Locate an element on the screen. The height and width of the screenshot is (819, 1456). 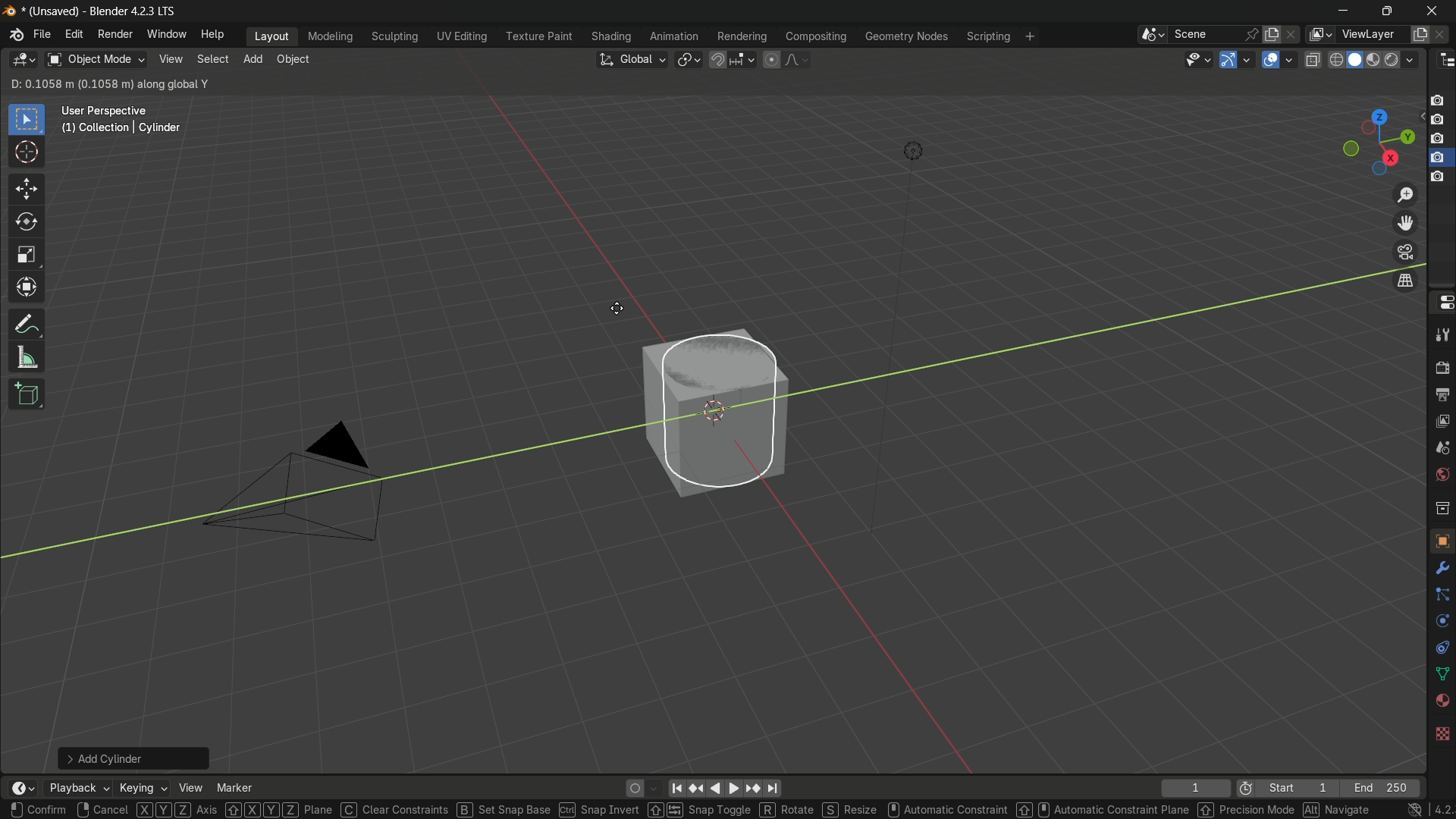
file menu is located at coordinates (42, 35).